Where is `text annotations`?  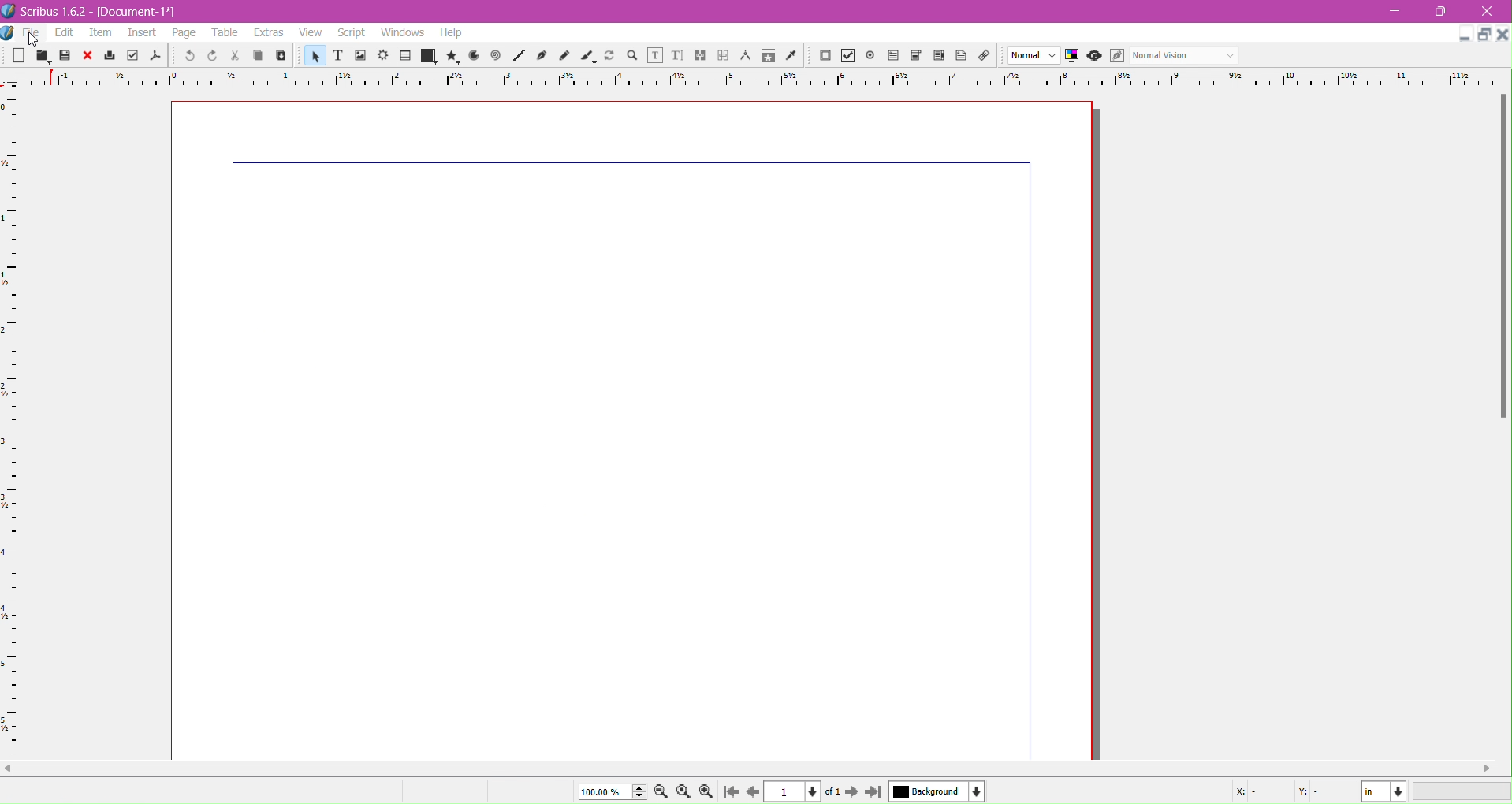 text annotations is located at coordinates (964, 56).